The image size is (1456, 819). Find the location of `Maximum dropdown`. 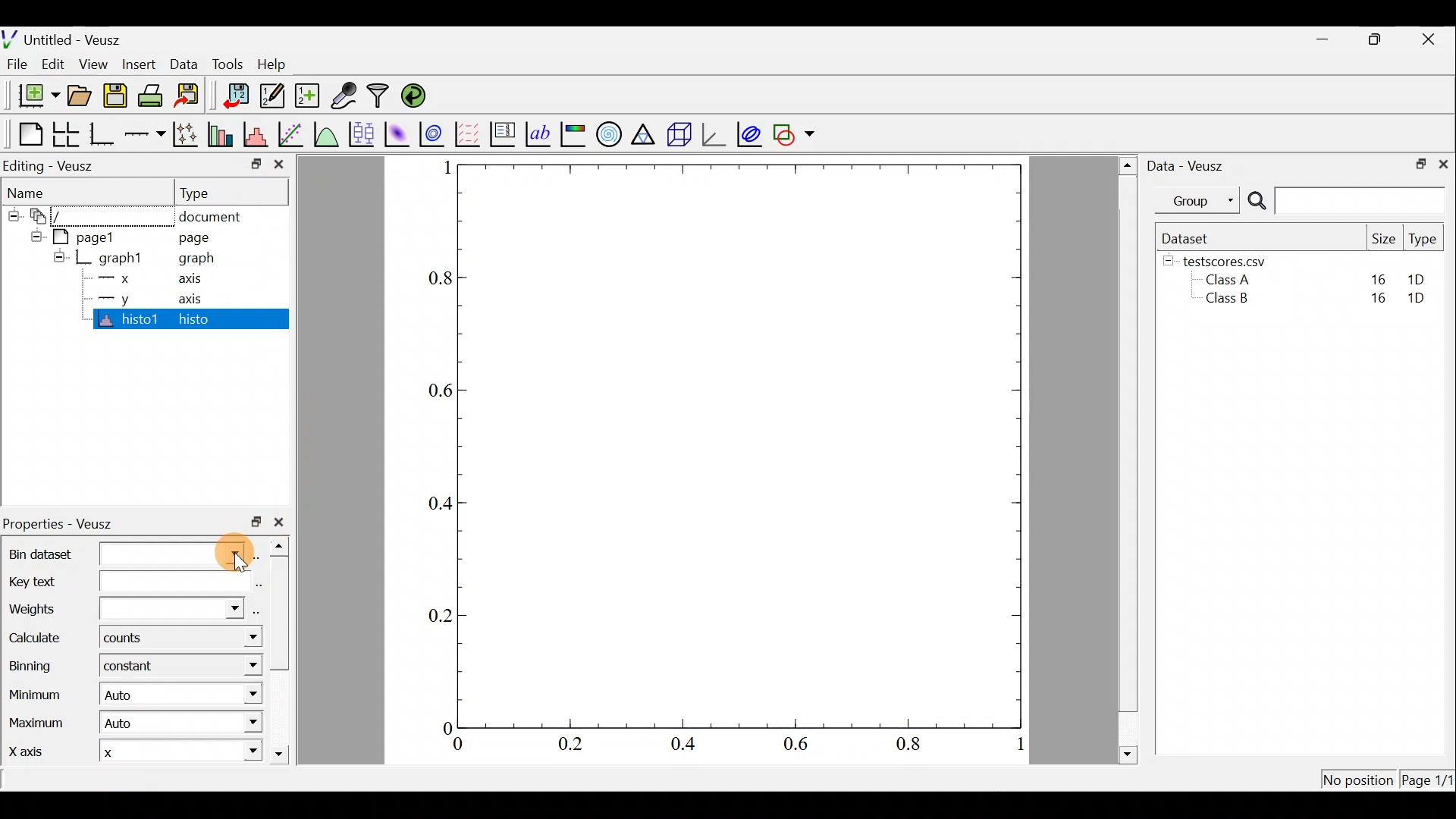

Maximum dropdown is located at coordinates (247, 723).